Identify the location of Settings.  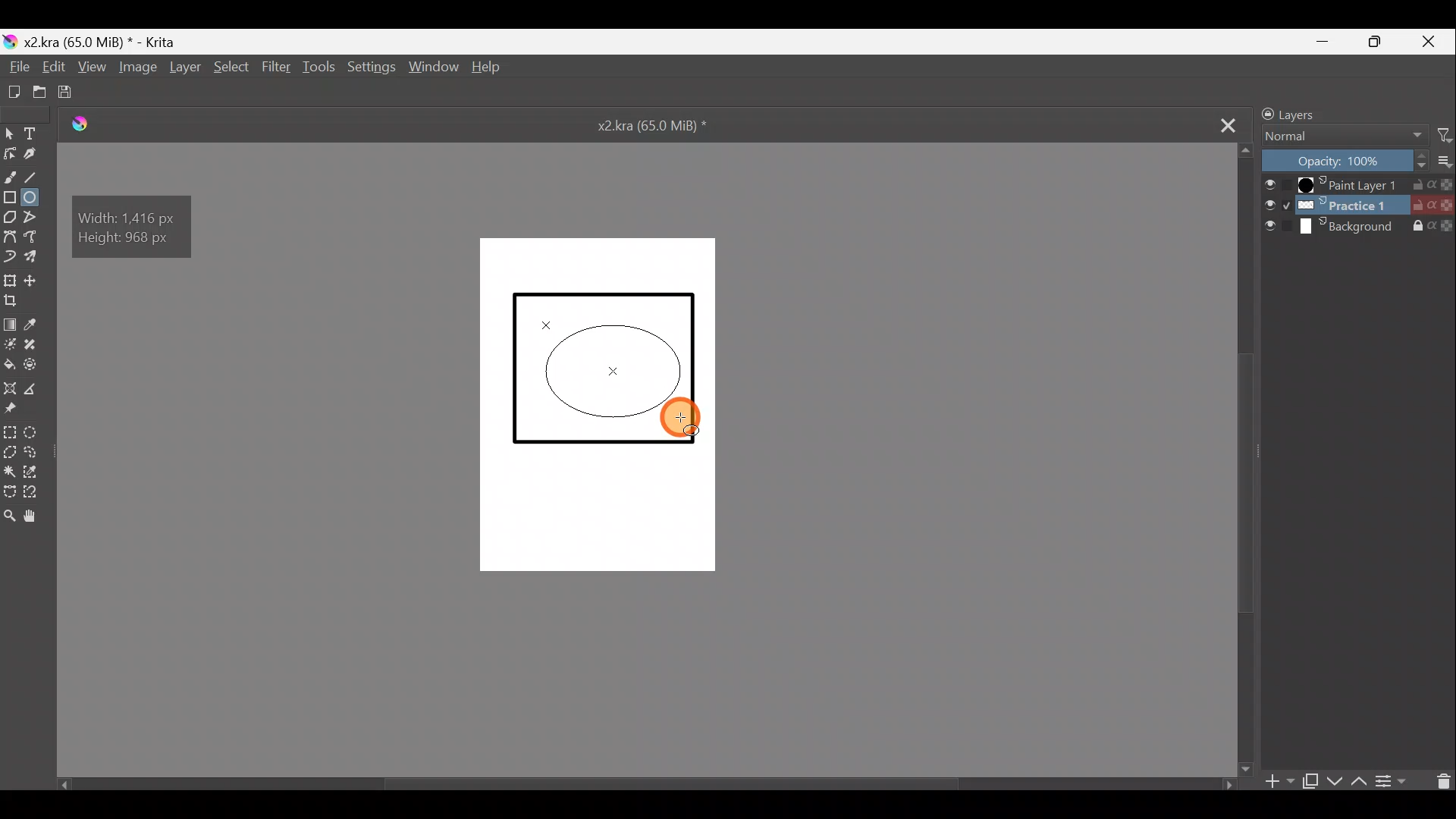
(372, 69).